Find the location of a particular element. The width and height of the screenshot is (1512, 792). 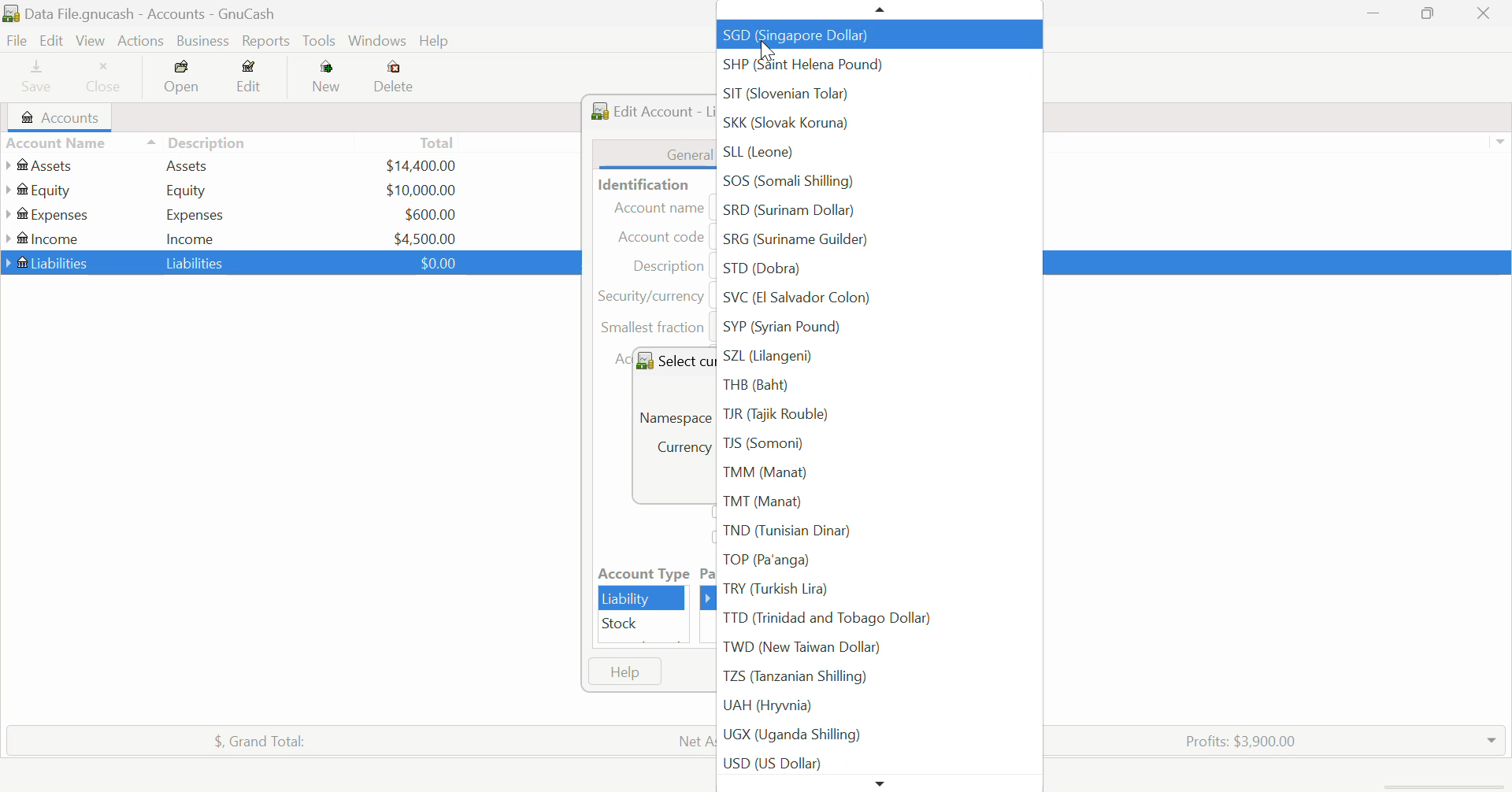

Currency is located at coordinates (651, 296).